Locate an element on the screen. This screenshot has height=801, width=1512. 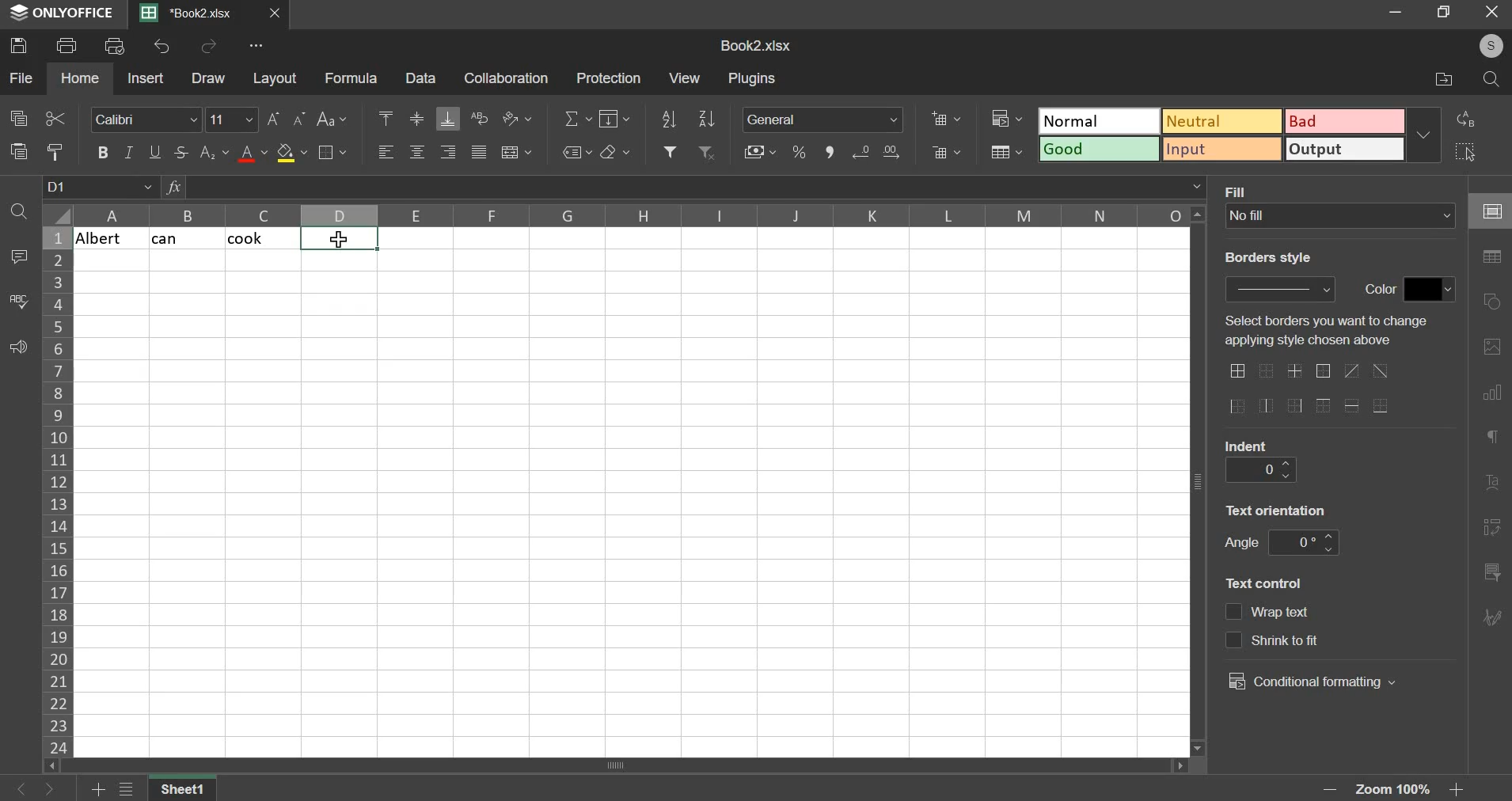
paste is located at coordinates (19, 151).